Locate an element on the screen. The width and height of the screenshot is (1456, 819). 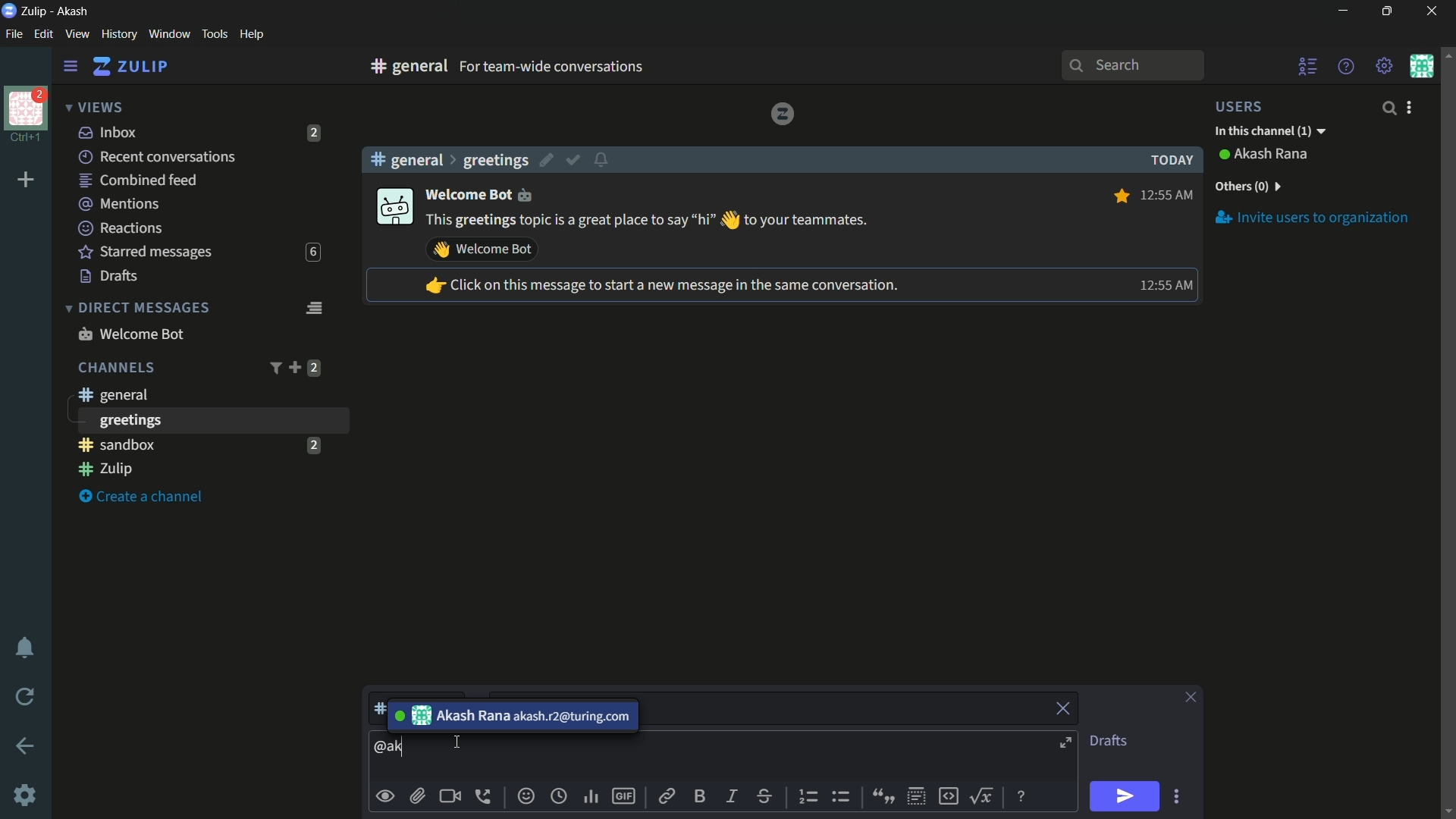
add gif is located at coordinates (623, 796).